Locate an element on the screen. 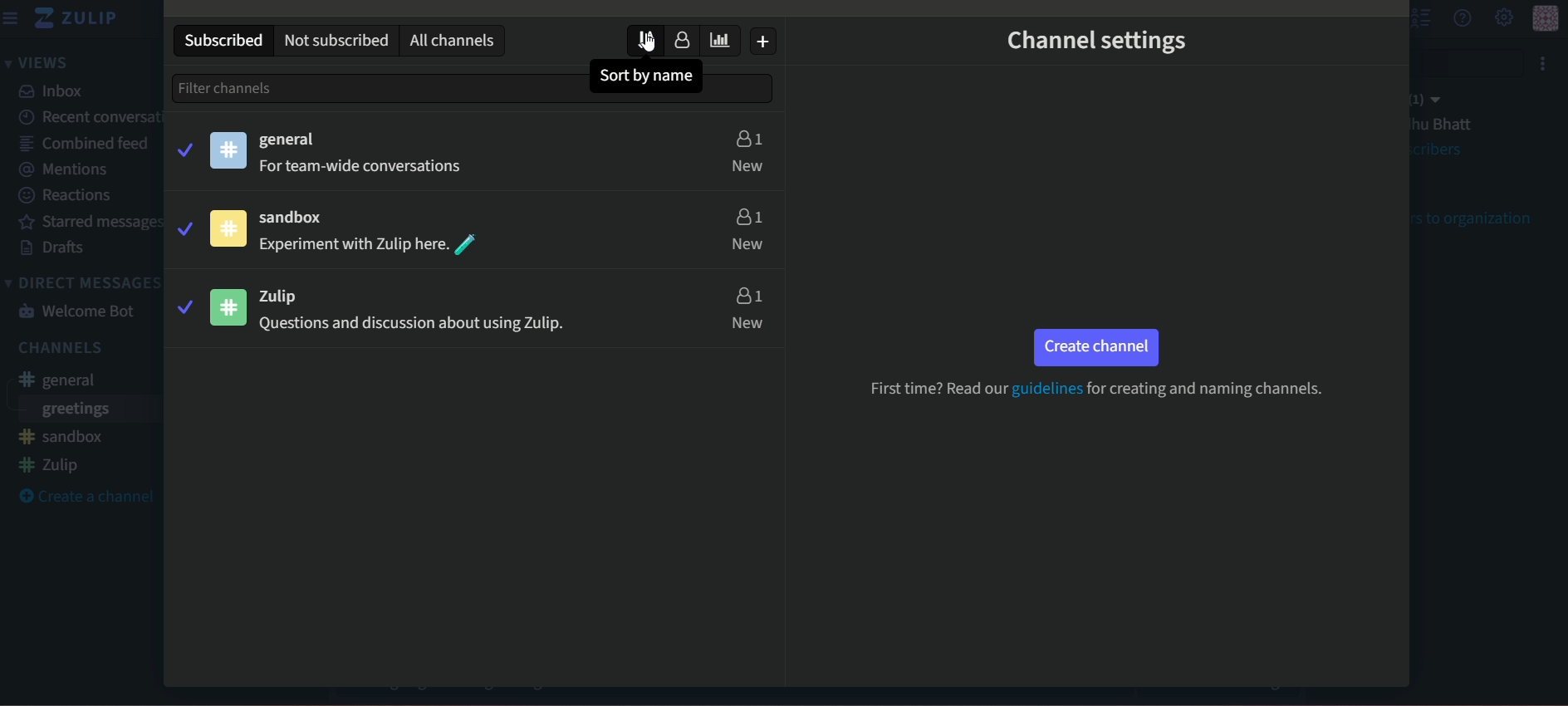  icon is located at coordinates (226, 150).